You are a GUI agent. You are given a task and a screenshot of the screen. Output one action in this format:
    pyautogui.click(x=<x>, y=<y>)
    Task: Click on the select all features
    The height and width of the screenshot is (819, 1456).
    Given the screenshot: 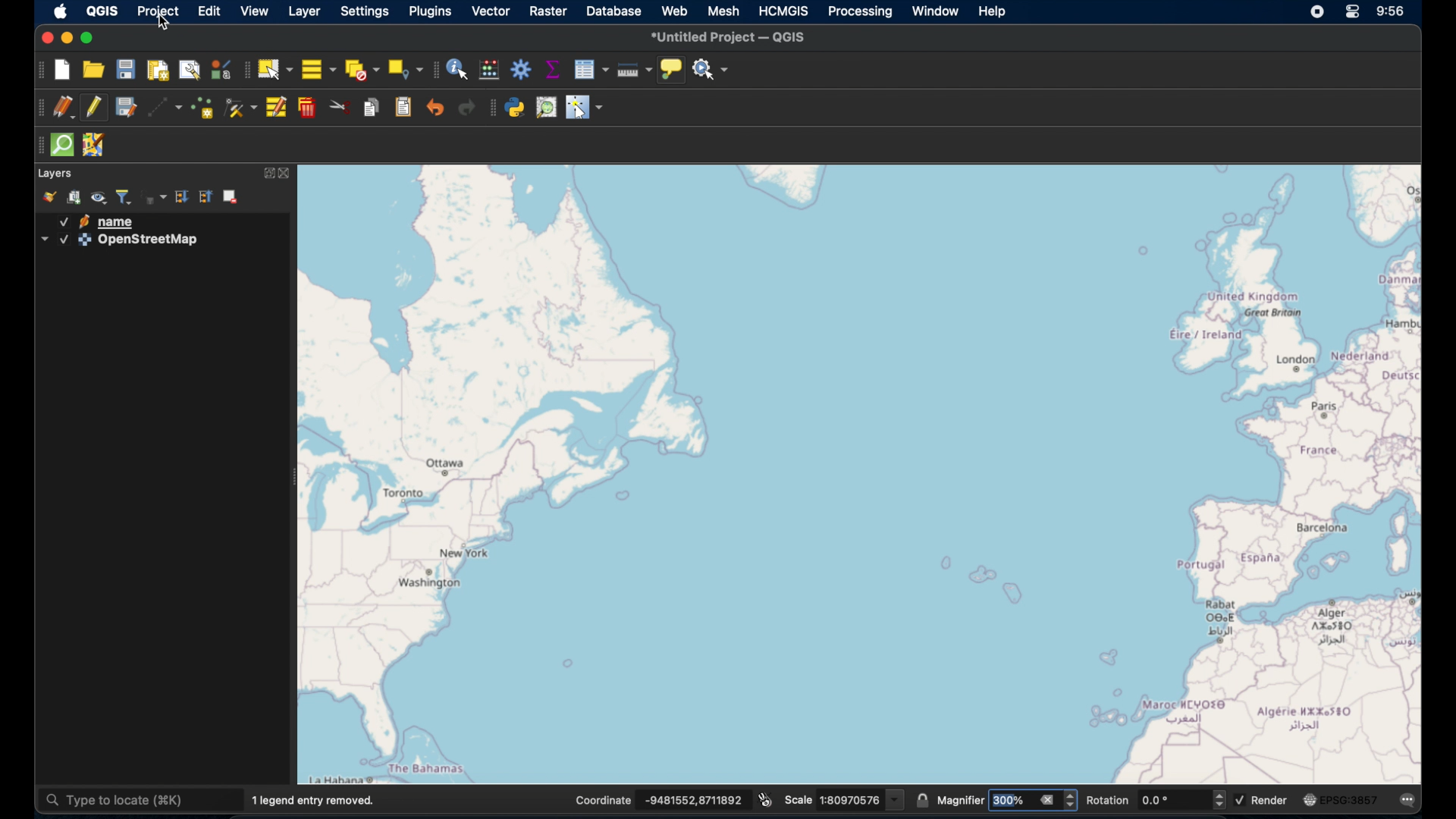 What is the action you would take?
    pyautogui.click(x=318, y=71)
    